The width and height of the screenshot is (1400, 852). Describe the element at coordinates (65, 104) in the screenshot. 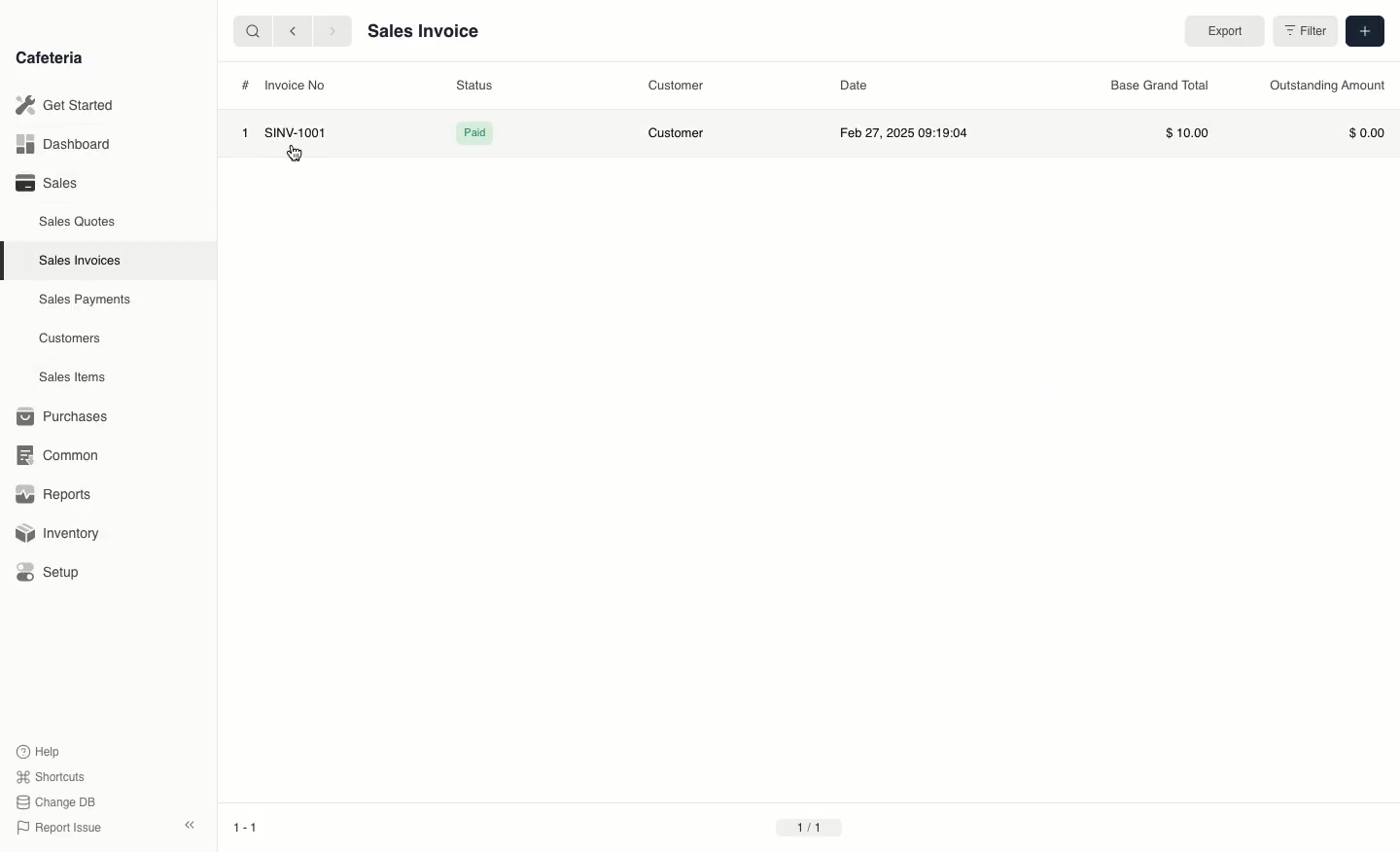

I see `Get Started` at that location.